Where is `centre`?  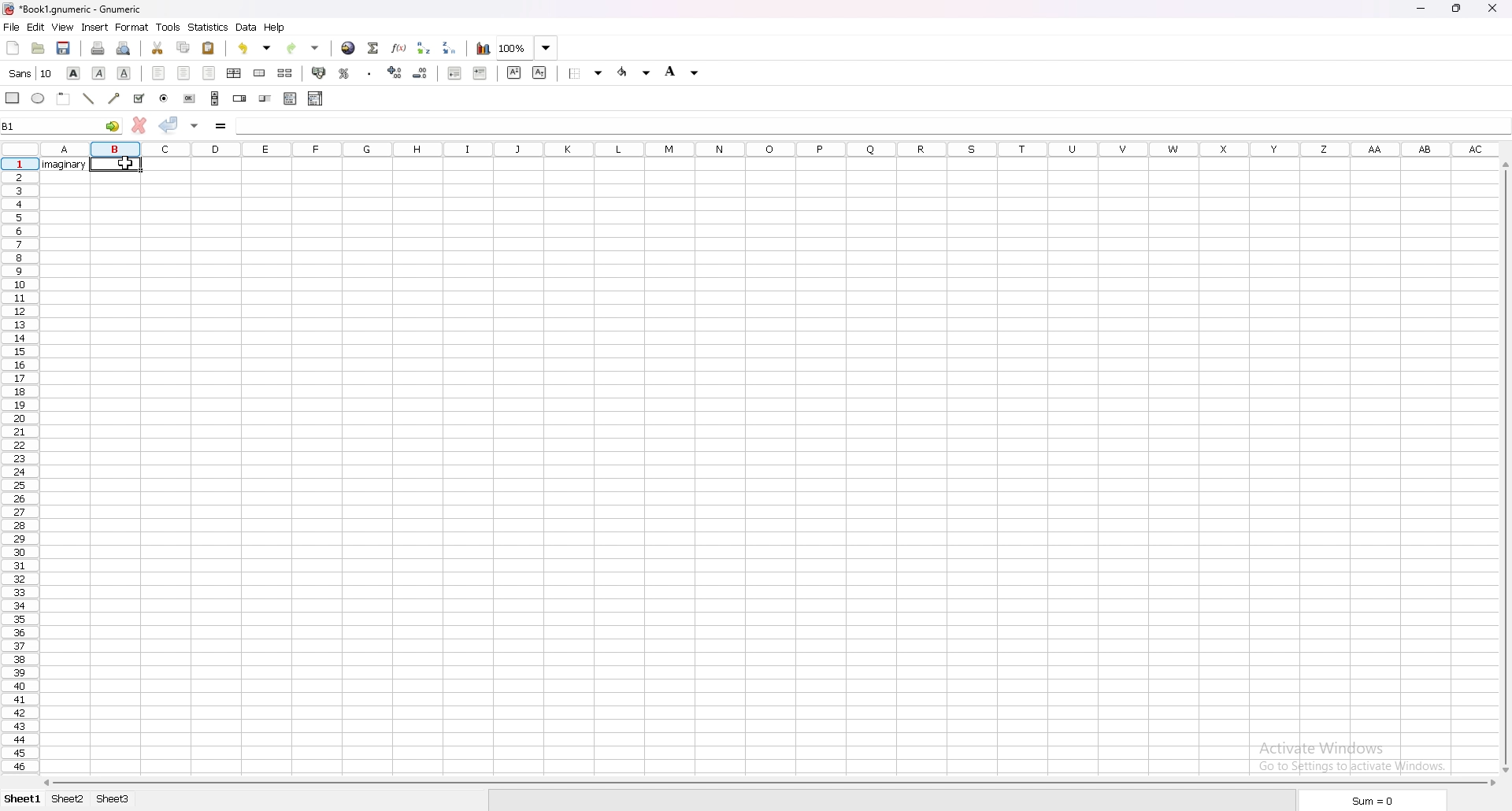
centre is located at coordinates (183, 72).